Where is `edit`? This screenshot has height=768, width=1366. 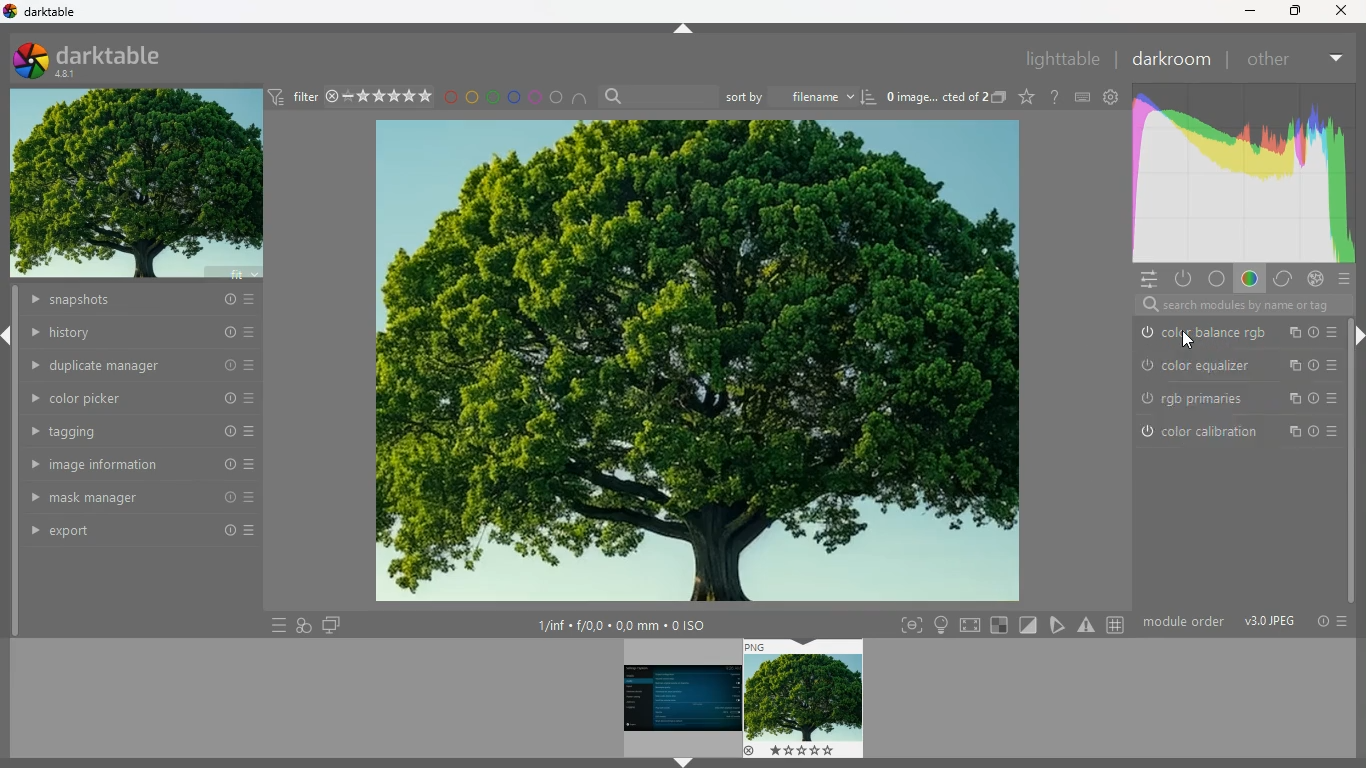
edit is located at coordinates (1059, 624).